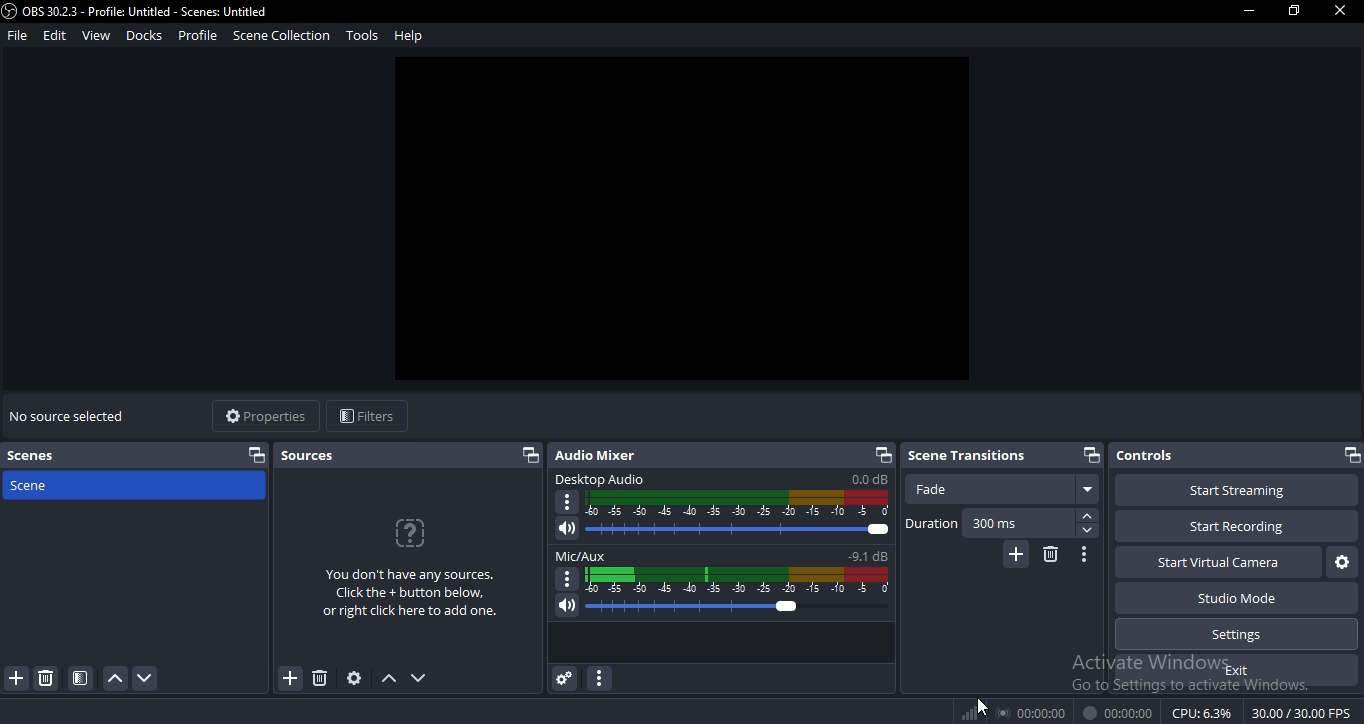 The height and width of the screenshot is (724, 1364). I want to click on audio mixer, so click(601, 454).